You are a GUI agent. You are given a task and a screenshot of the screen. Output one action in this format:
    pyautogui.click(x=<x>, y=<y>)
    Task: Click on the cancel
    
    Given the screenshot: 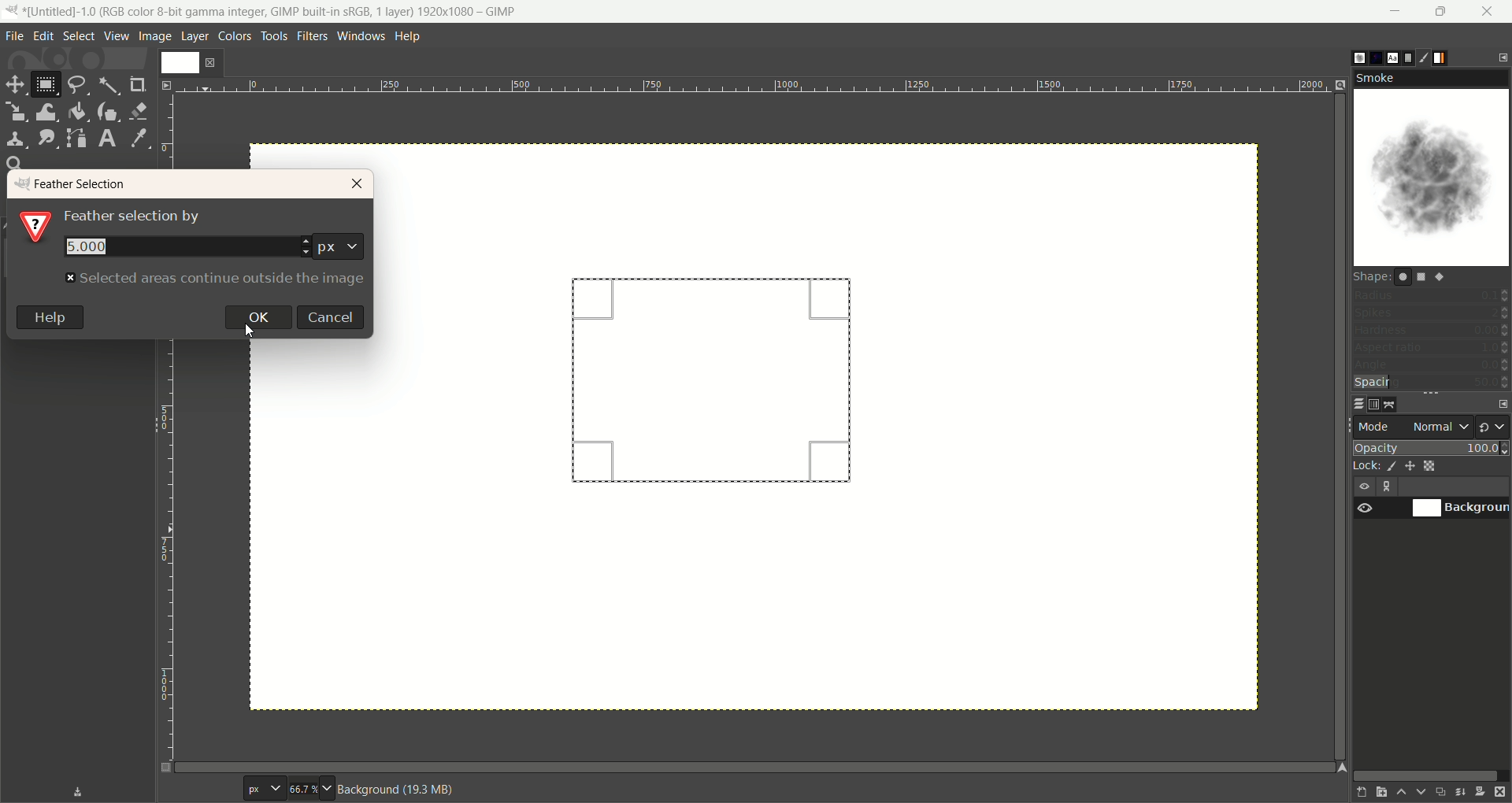 What is the action you would take?
    pyautogui.click(x=330, y=320)
    